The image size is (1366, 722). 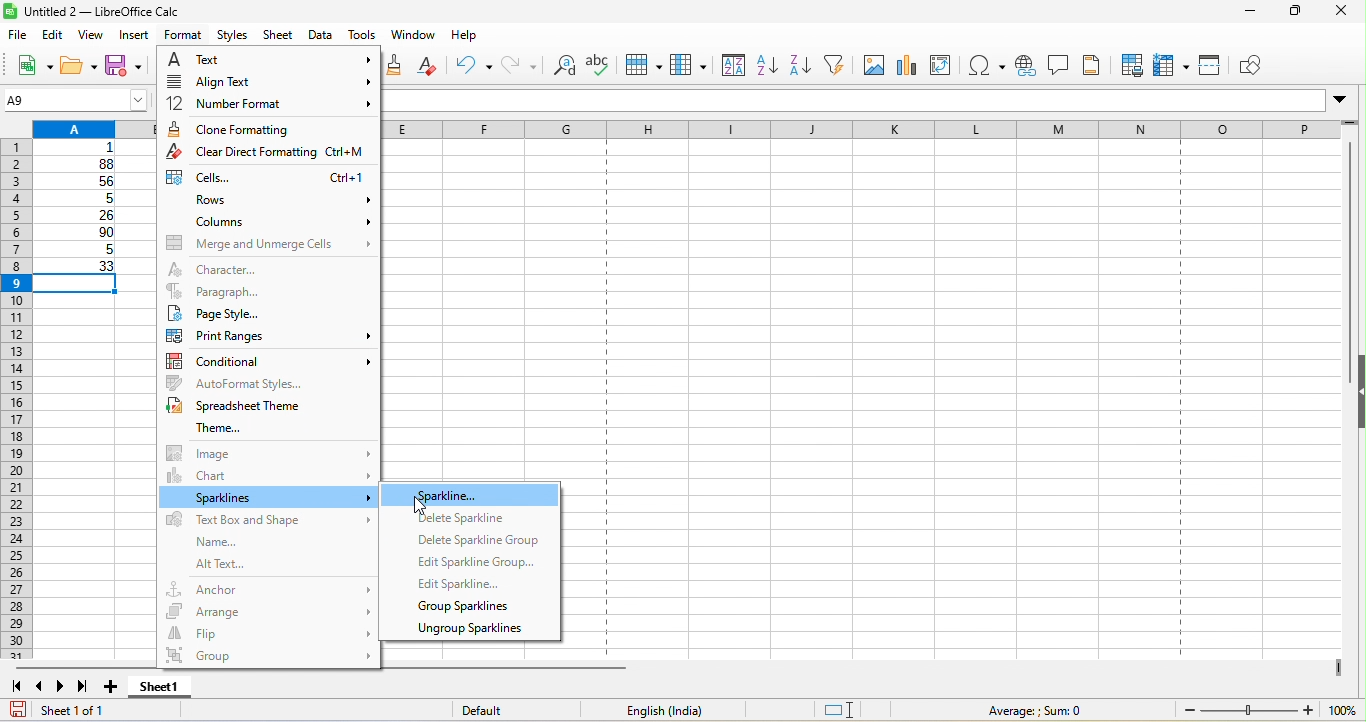 I want to click on 88, so click(x=77, y=164).